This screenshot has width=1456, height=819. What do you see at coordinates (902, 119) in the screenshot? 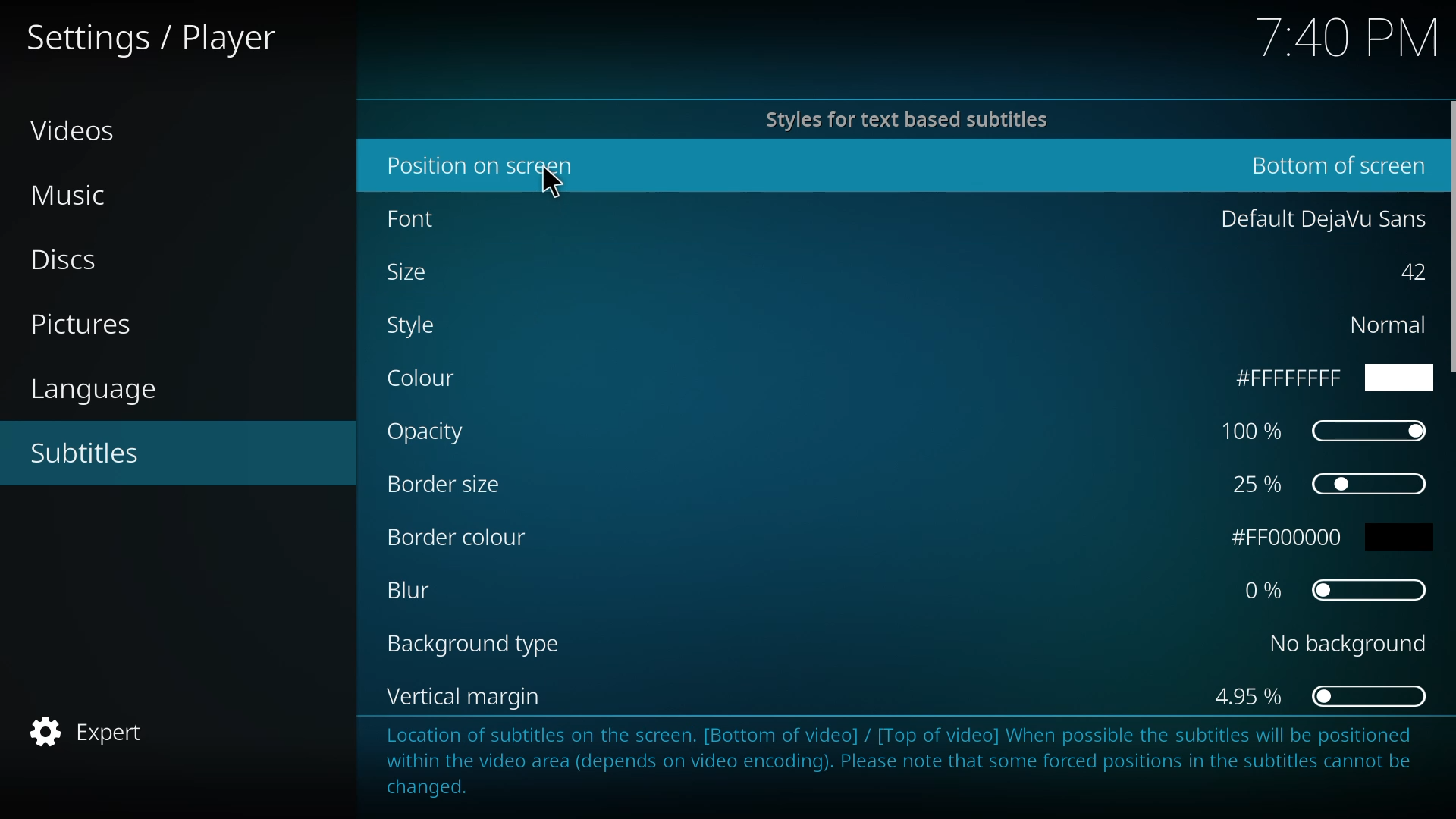
I see `styles` at bounding box center [902, 119].